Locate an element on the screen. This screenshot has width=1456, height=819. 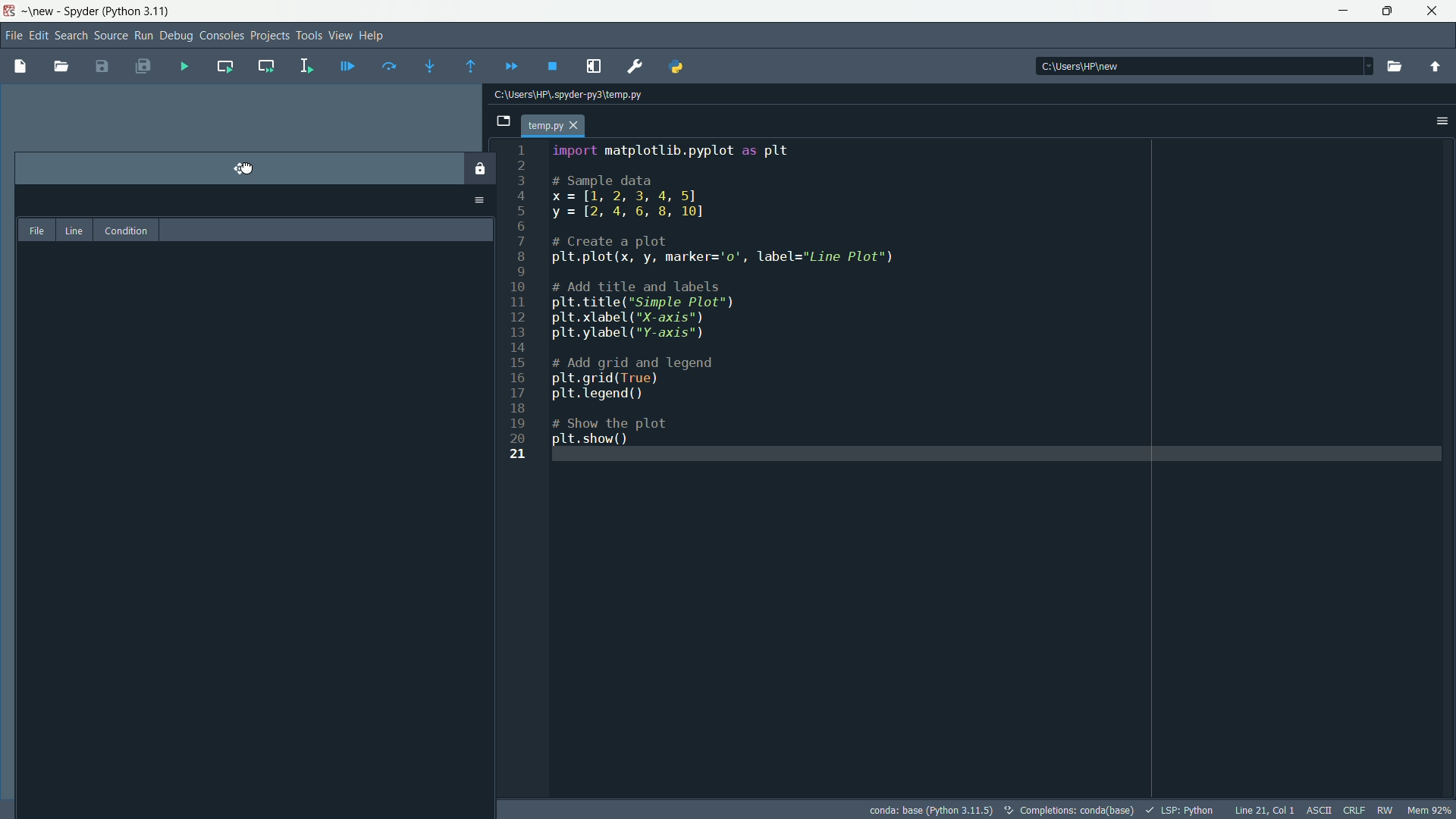
change in position is located at coordinates (254, 499).